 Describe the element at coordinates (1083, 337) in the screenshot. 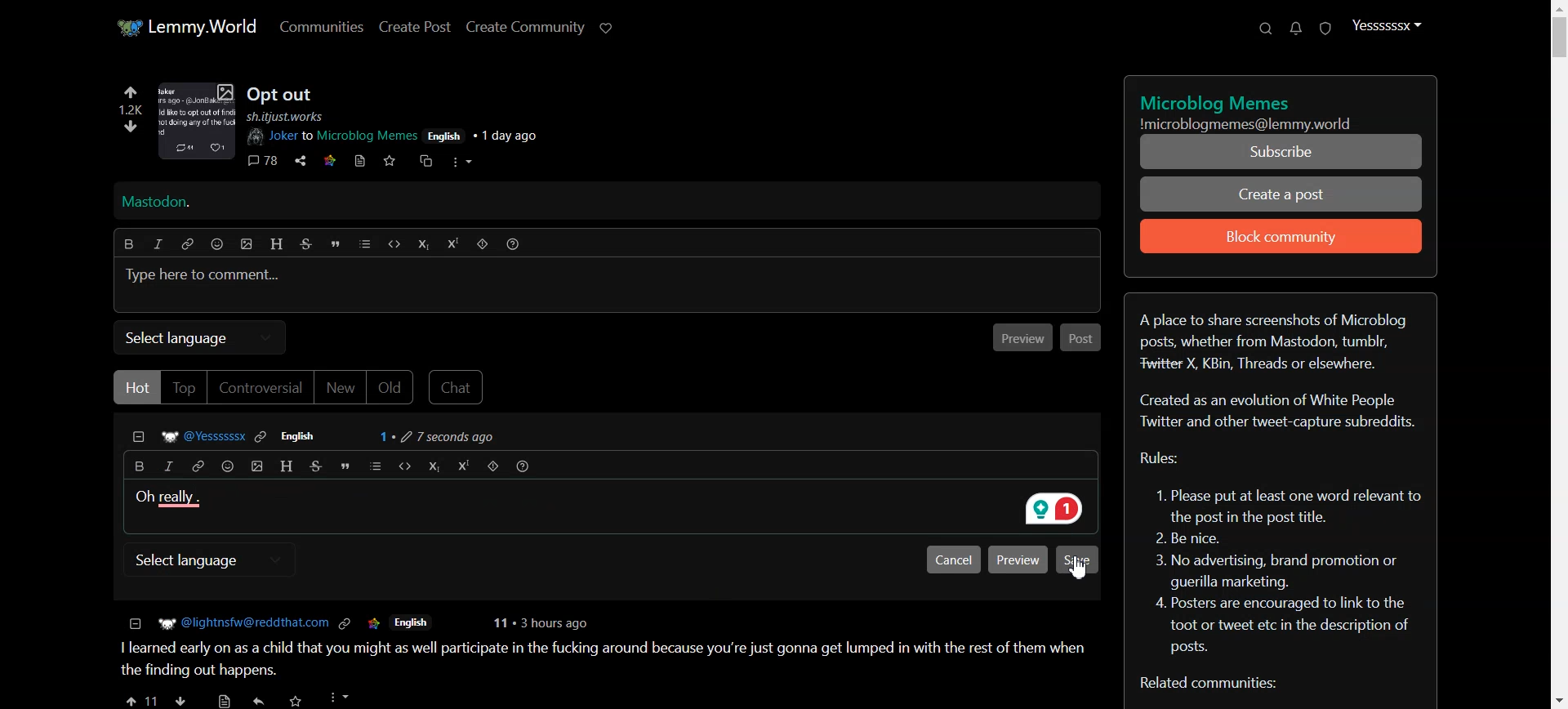

I see `Post` at that location.